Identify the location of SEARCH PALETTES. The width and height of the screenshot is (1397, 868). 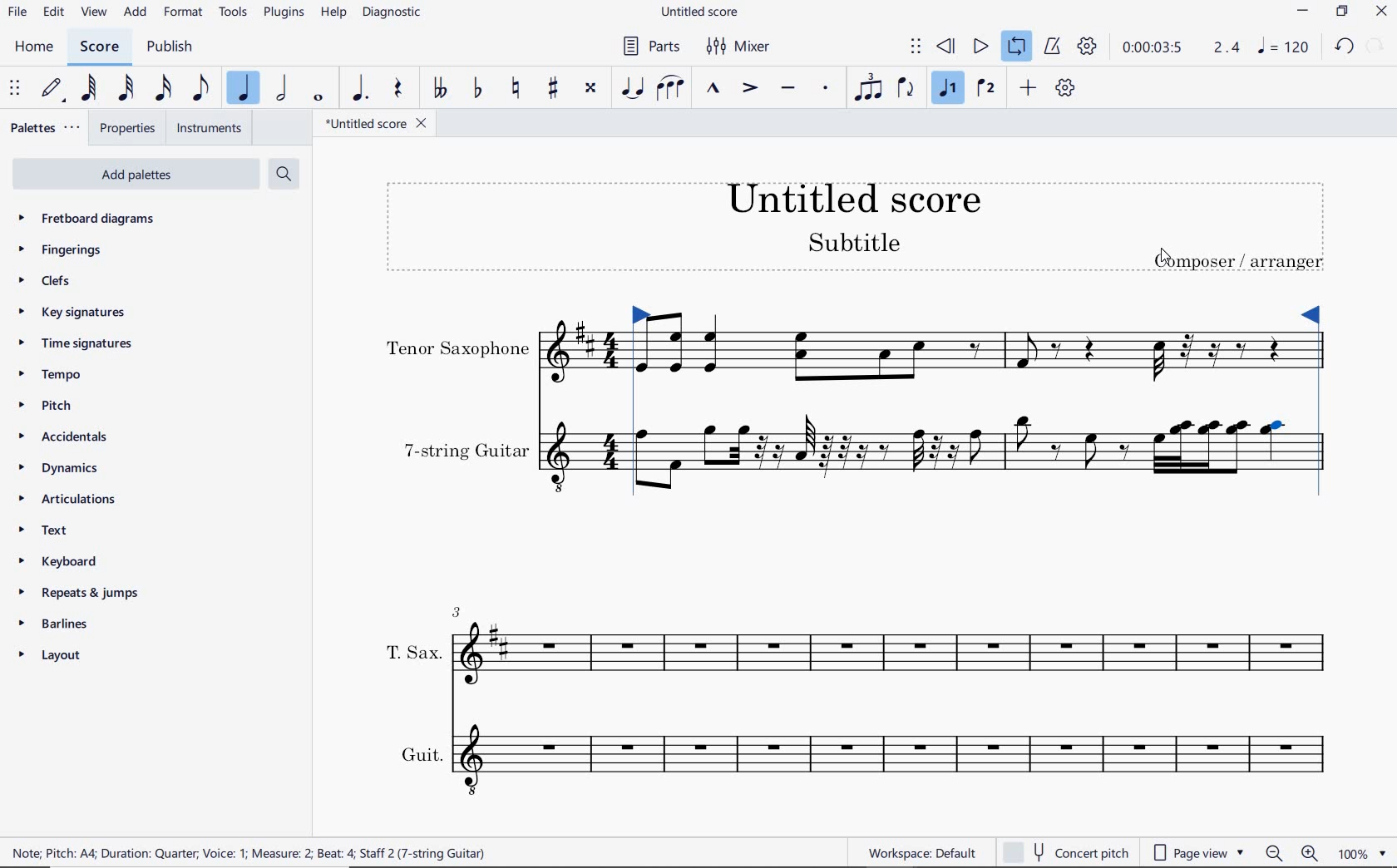
(284, 173).